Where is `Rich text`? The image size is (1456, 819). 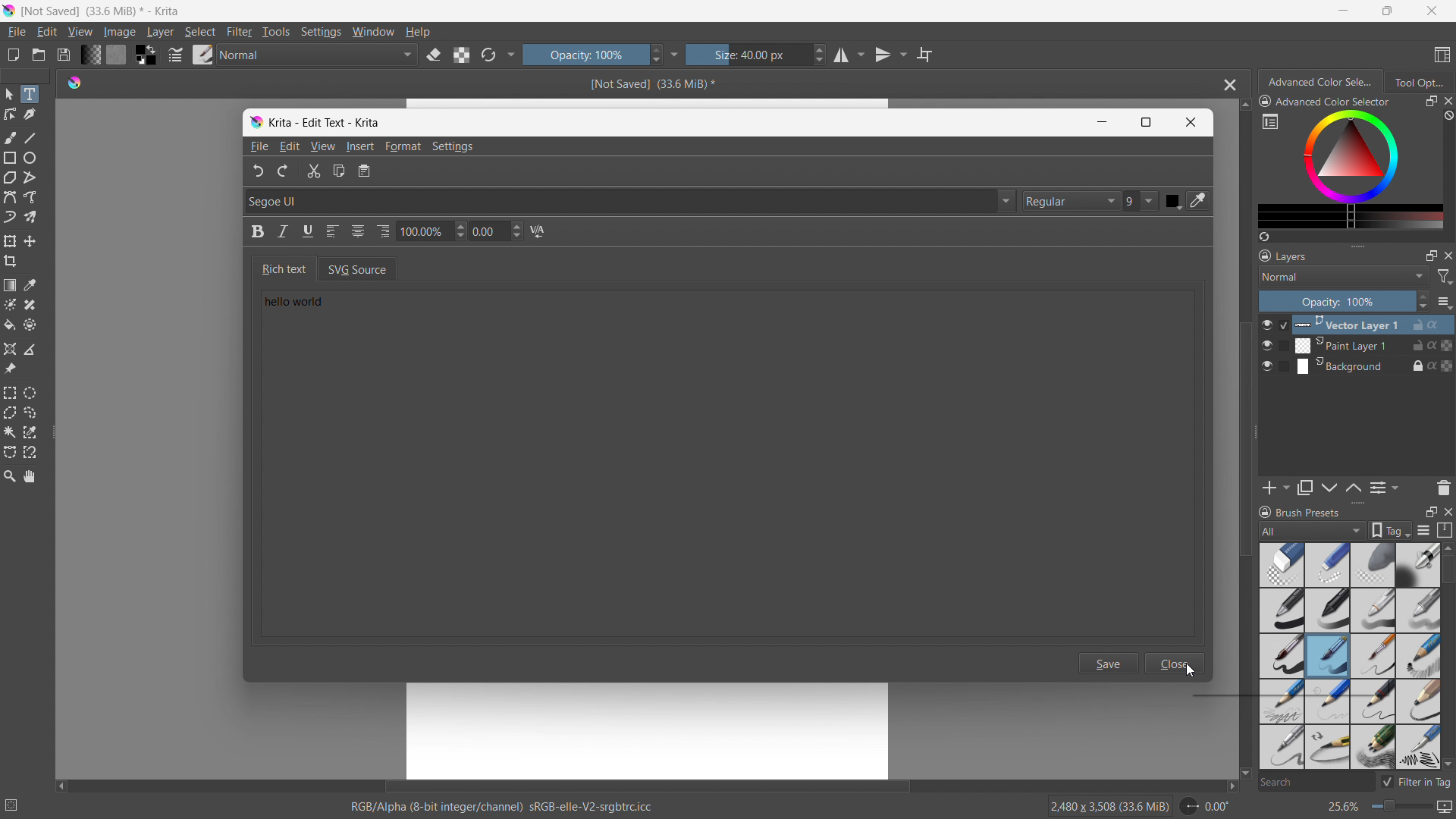 Rich text is located at coordinates (281, 268).